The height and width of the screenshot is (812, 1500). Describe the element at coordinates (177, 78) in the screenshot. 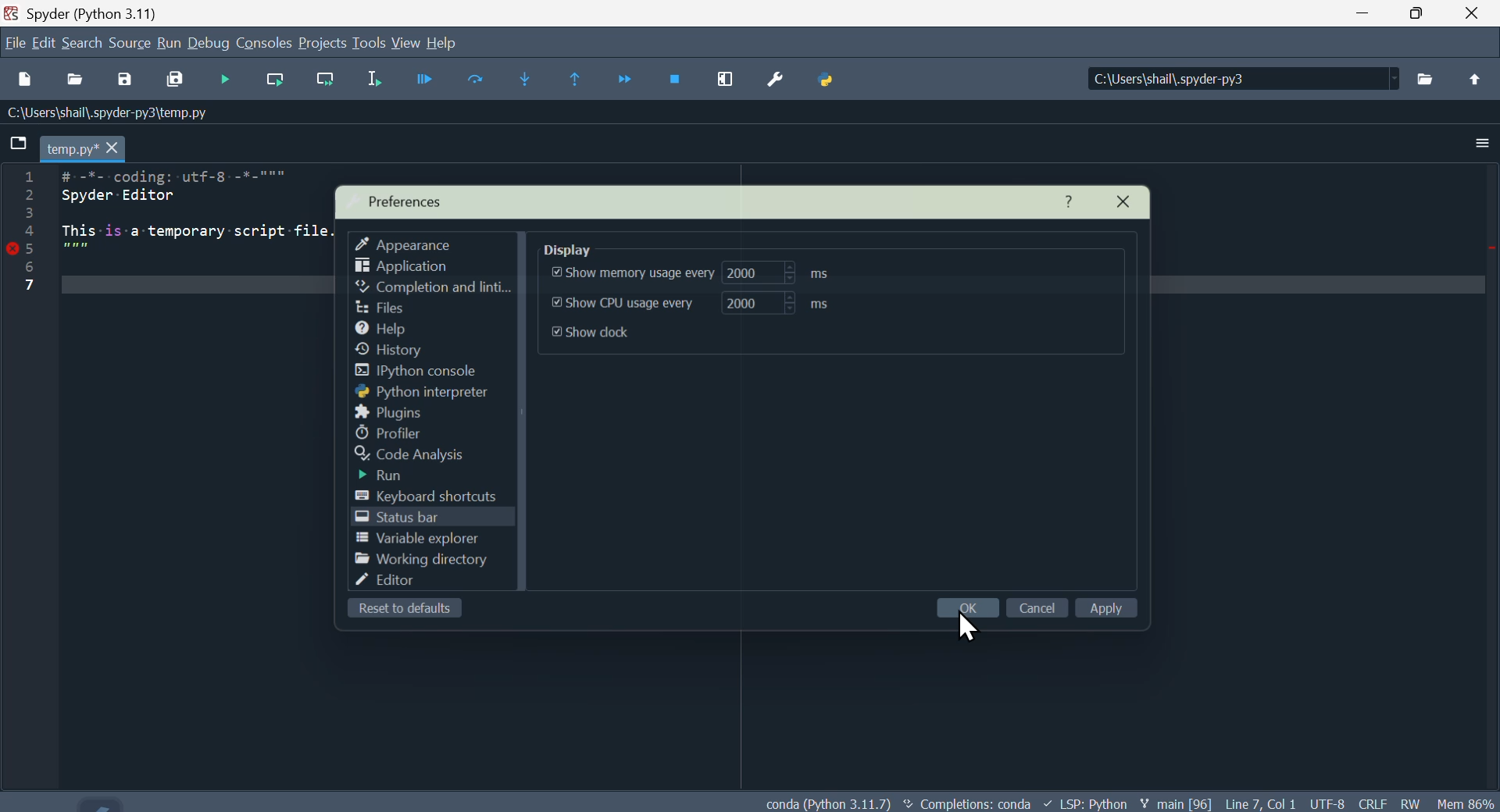

I see `Save all` at that location.